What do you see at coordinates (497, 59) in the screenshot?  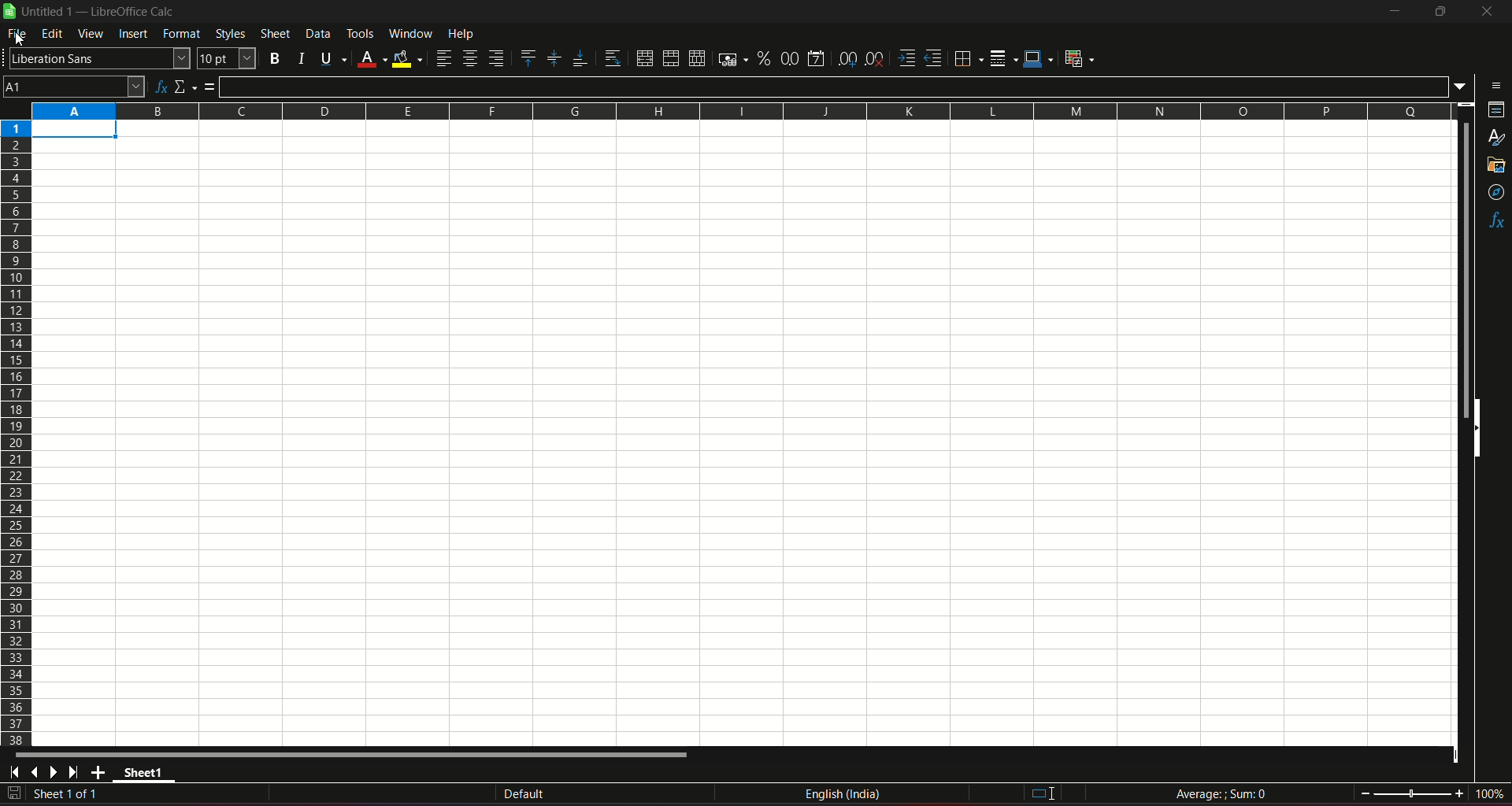 I see `align right` at bounding box center [497, 59].